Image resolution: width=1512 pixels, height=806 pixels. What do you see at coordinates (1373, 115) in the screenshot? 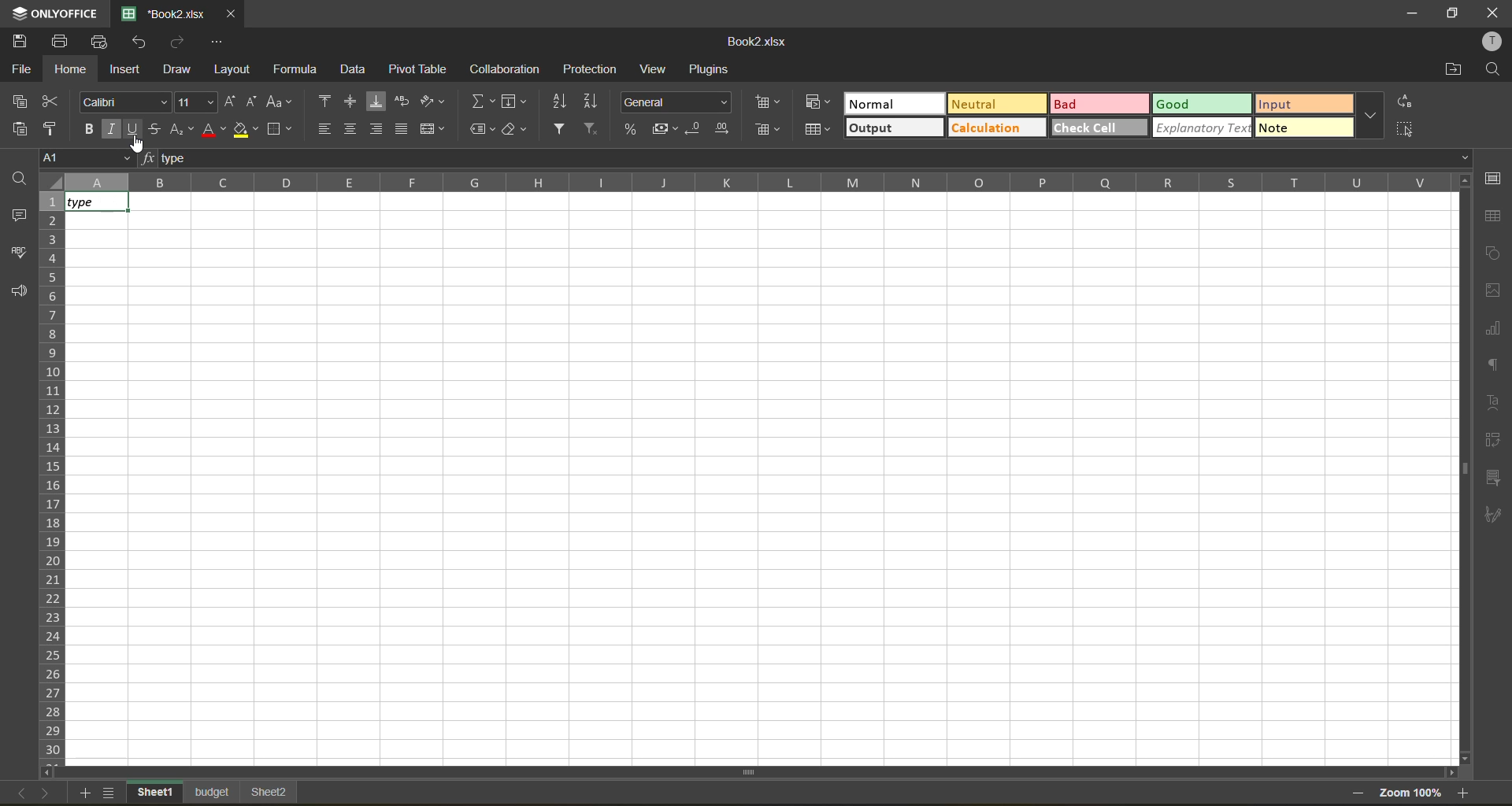
I see `more options` at bounding box center [1373, 115].